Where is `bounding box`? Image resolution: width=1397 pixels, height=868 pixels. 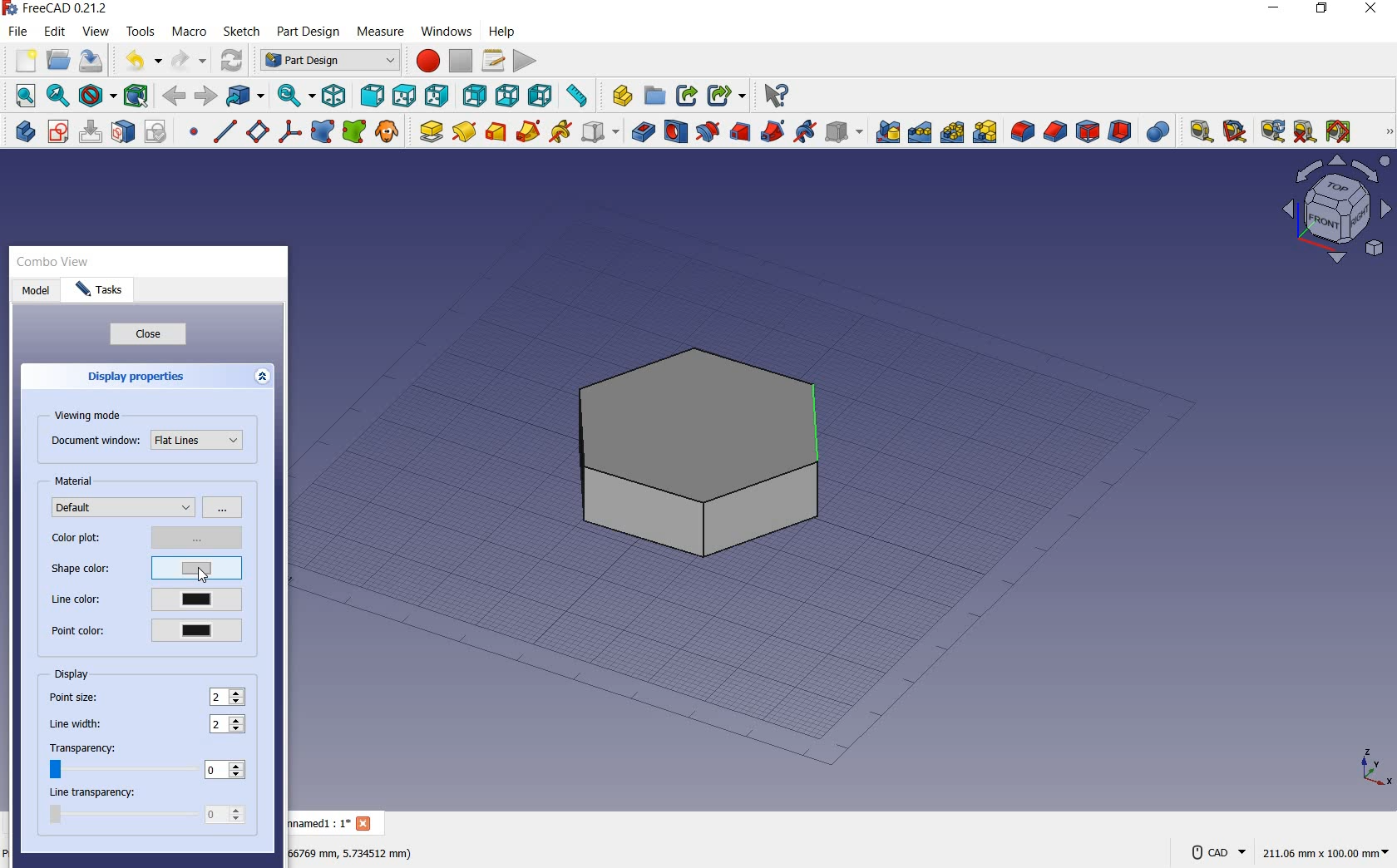 bounding box is located at coordinates (136, 96).